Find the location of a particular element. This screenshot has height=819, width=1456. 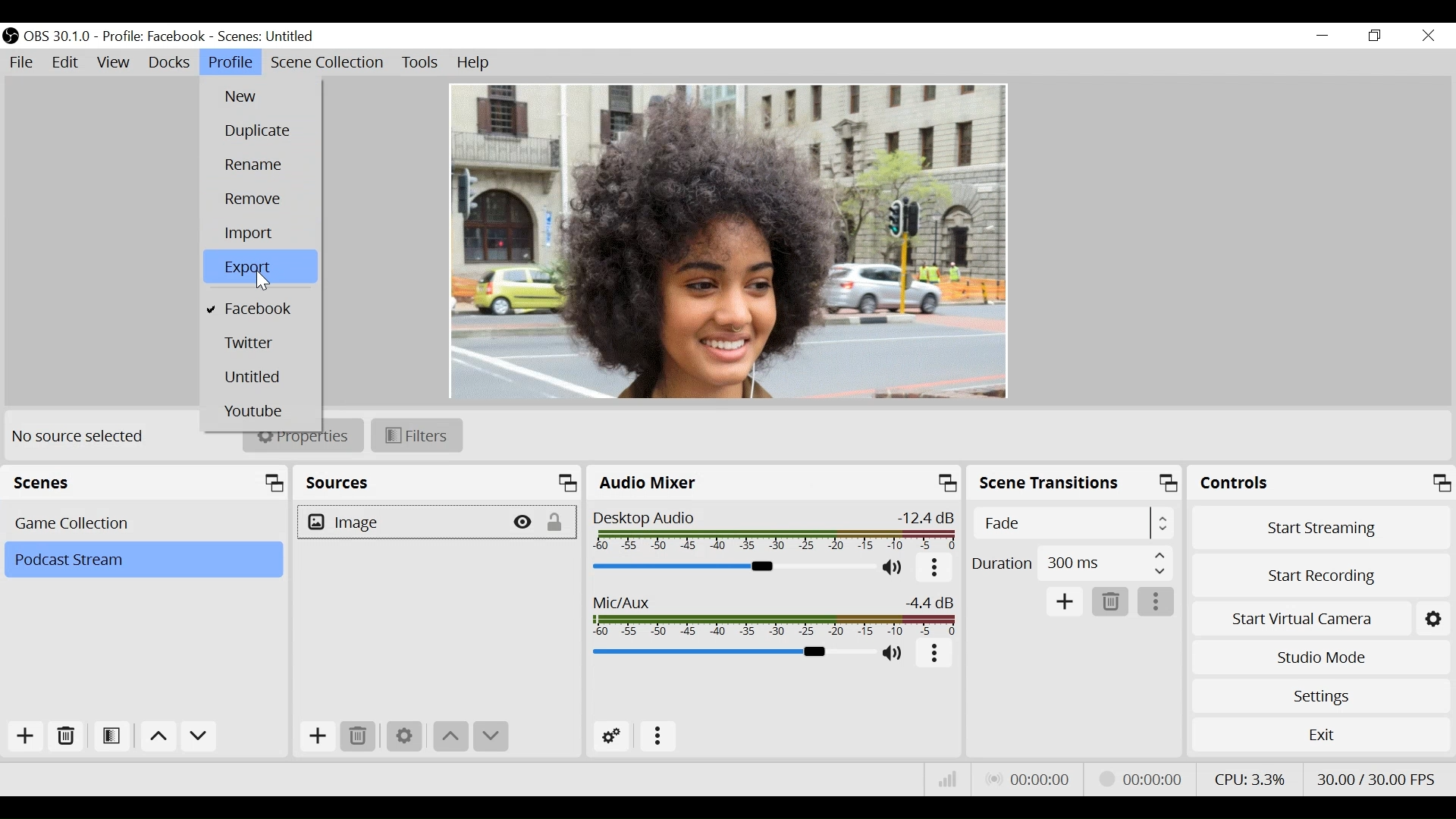

Studio Mode is located at coordinates (1322, 658).